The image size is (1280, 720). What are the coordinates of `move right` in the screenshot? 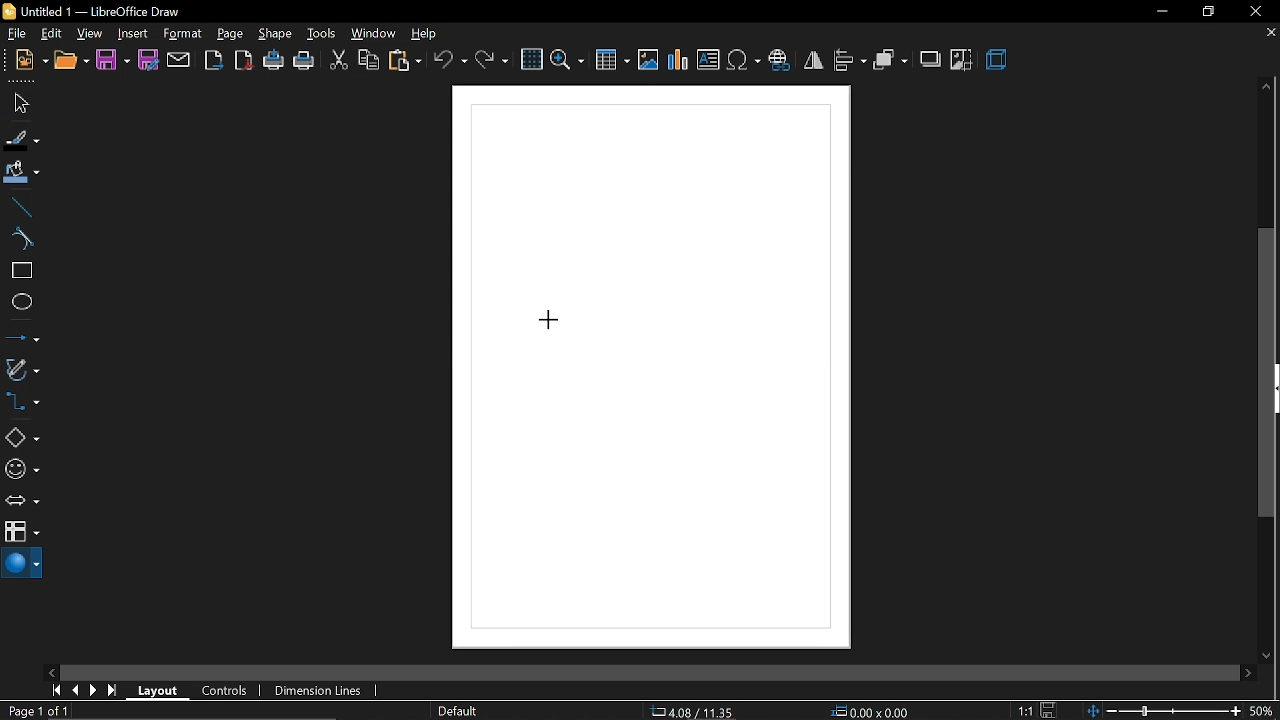 It's located at (1250, 672).